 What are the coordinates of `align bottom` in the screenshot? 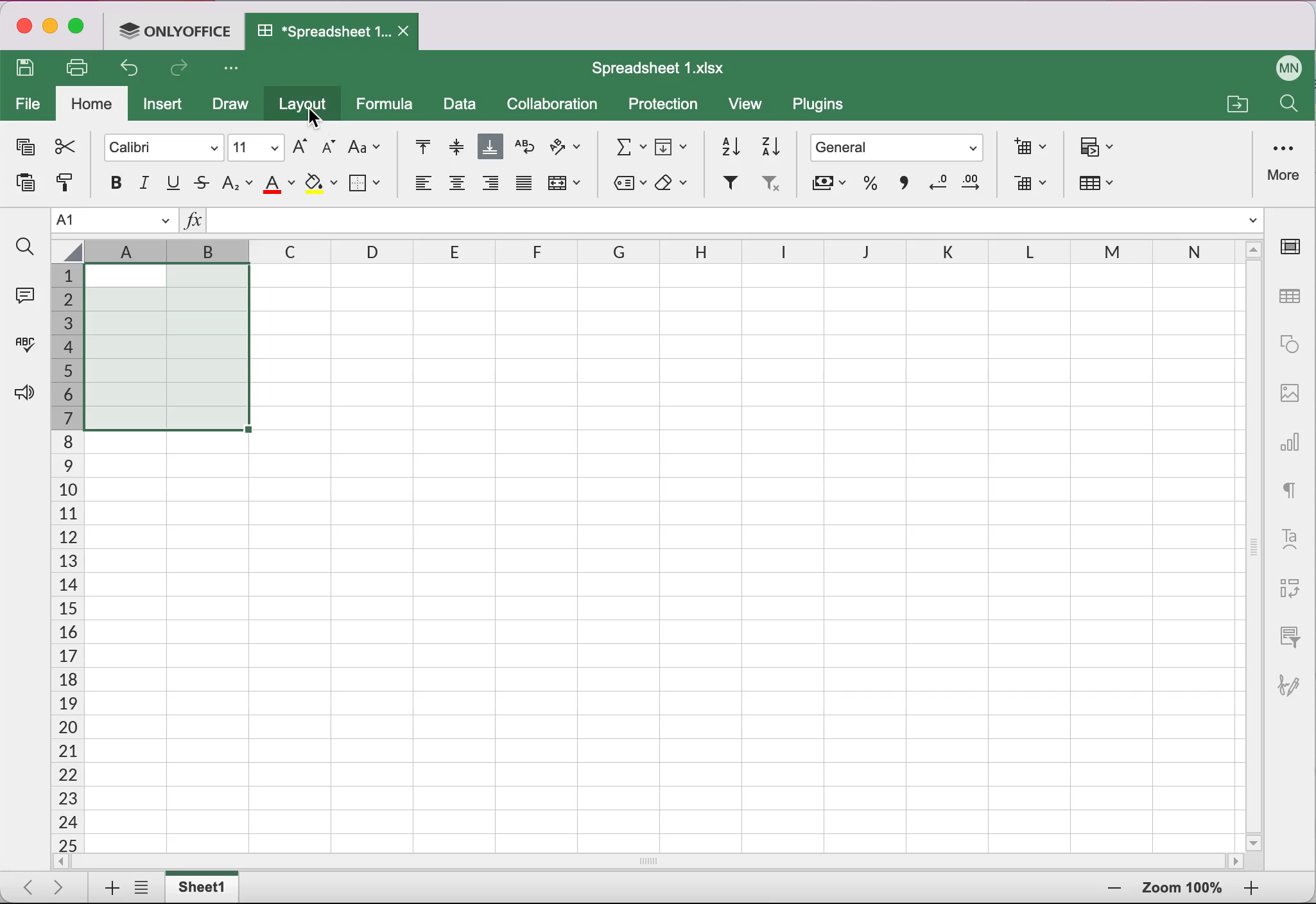 It's located at (491, 148).